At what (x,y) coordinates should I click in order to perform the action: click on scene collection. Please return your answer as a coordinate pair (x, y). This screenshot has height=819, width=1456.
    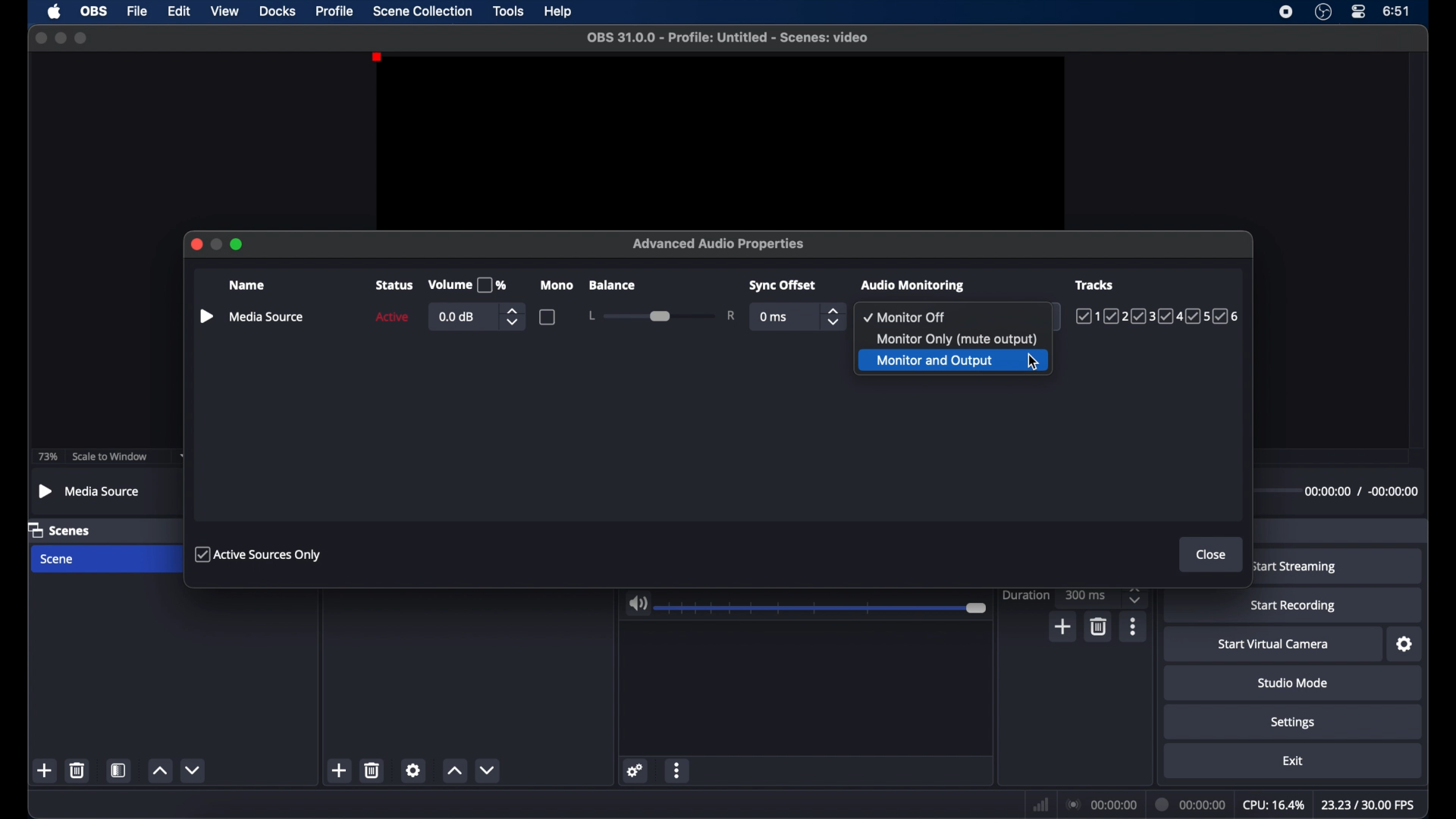
    Looking at the image, I should click on (422, 11).